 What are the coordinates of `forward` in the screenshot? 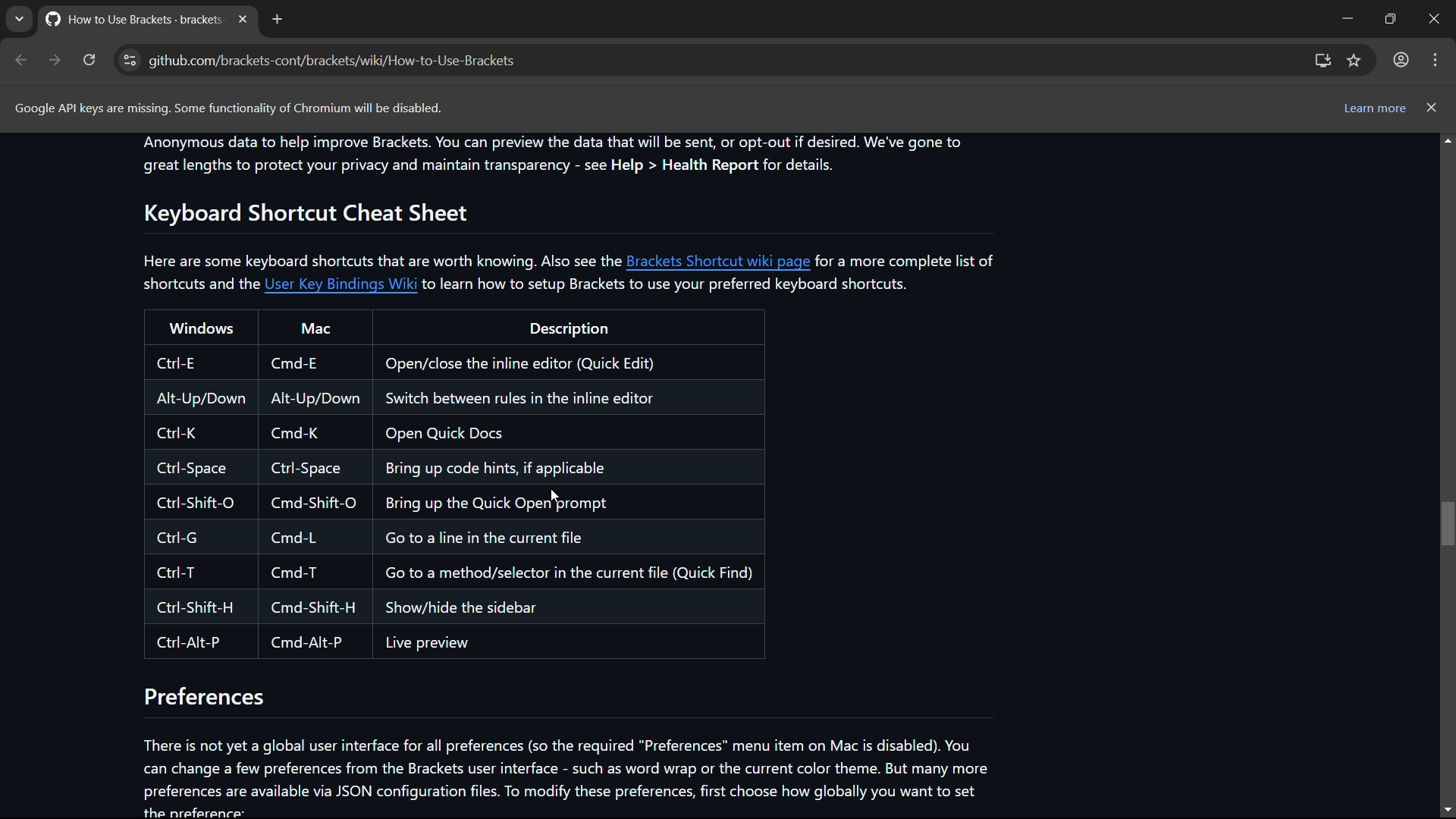 It's located at (55, 60).